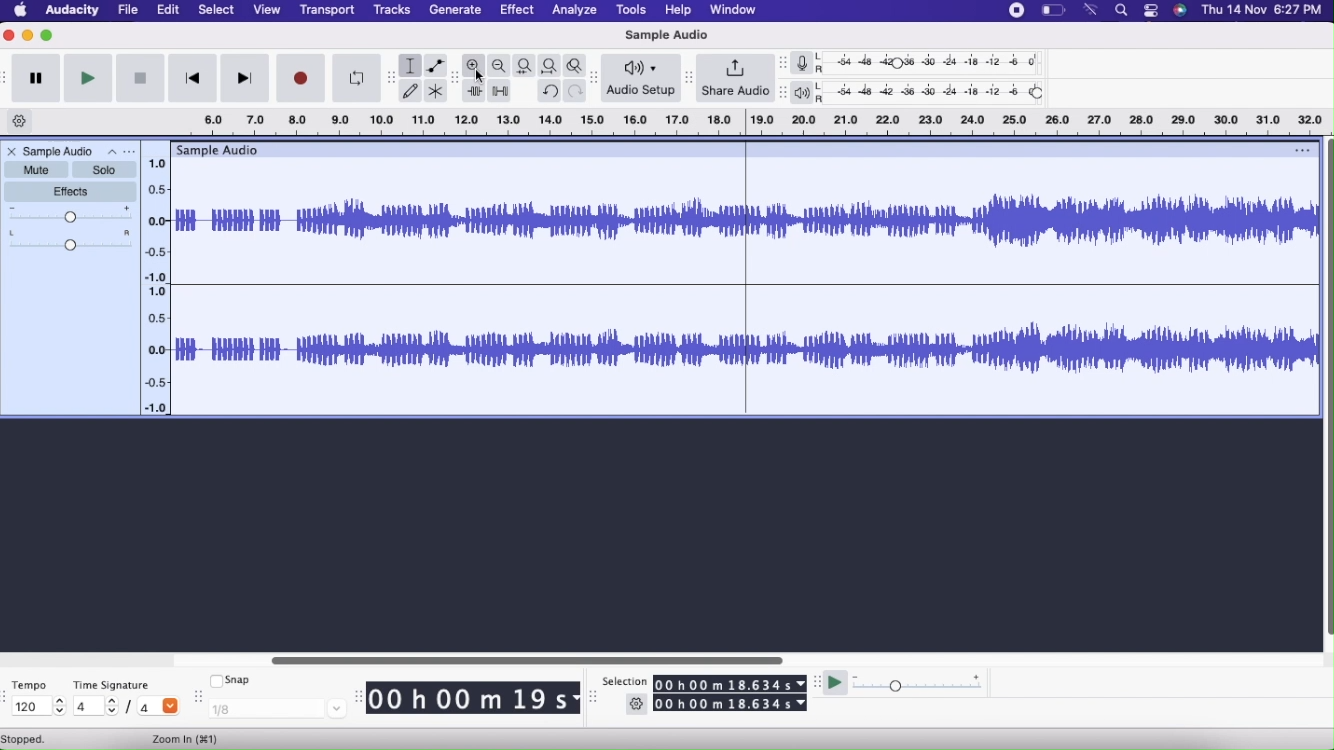  Describe the element at coordinates (629, 658) in the screenshot. I see `Slider` at that location.